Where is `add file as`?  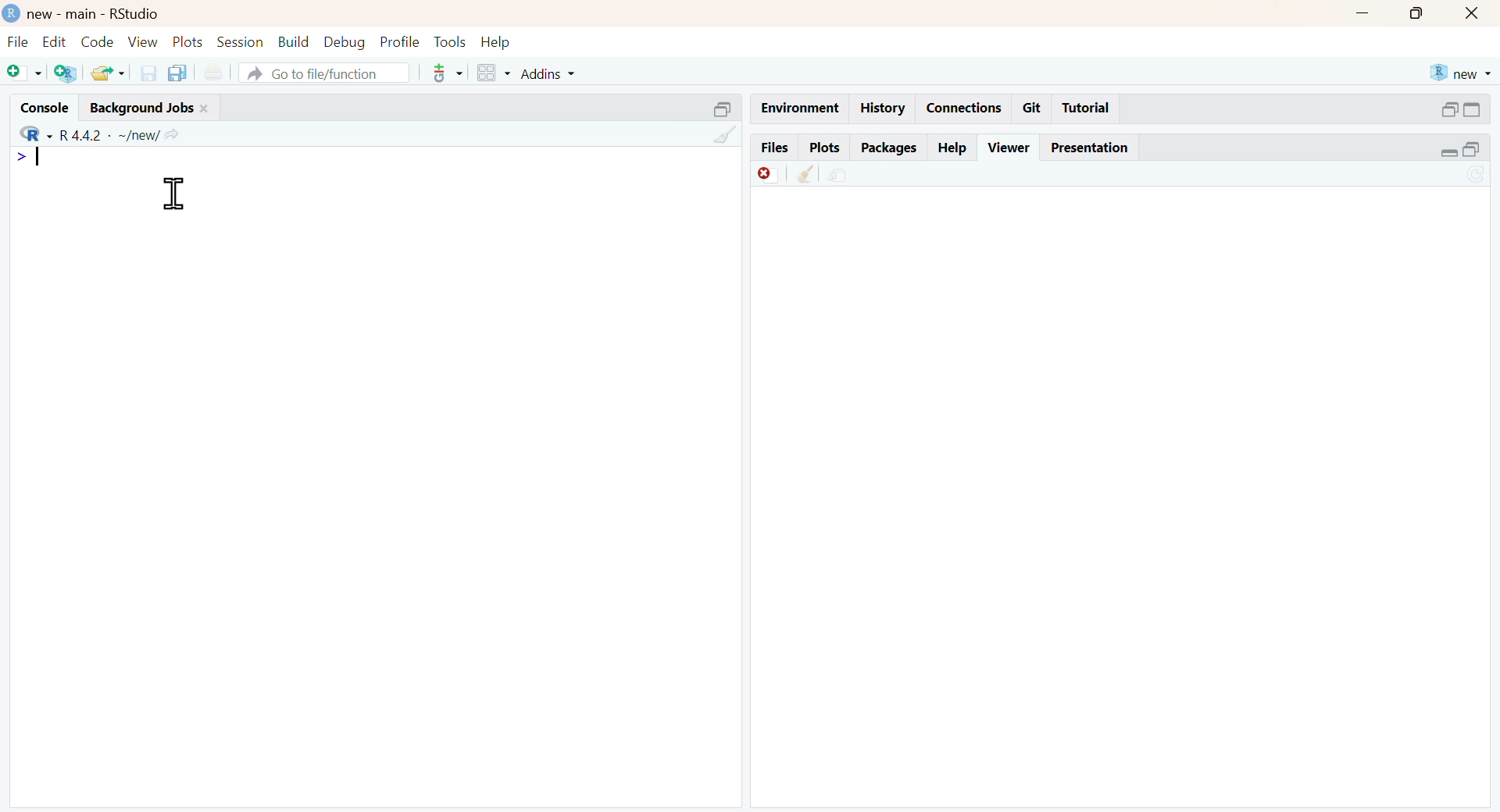
add file as is located at coordinates (25, 73).